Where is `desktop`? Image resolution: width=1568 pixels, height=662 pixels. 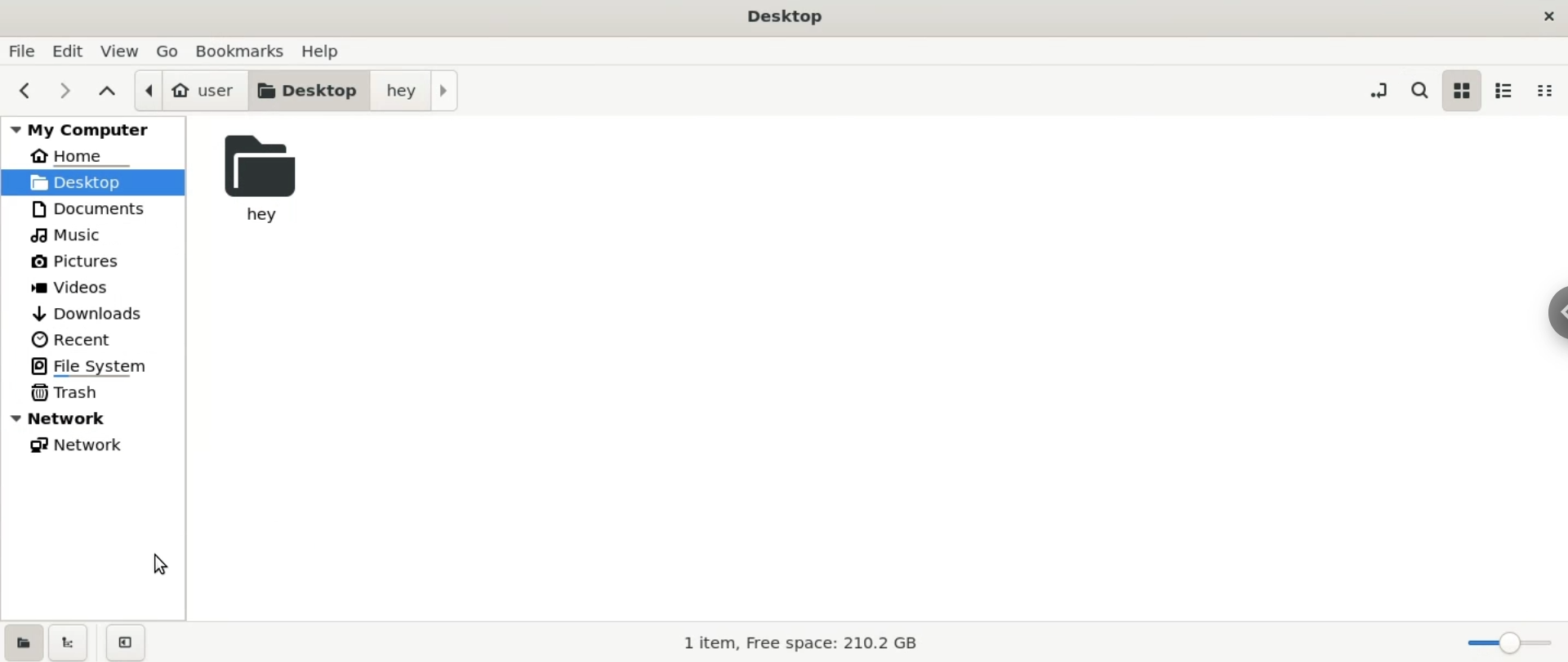 desktop is located at coordinates (94, 182).